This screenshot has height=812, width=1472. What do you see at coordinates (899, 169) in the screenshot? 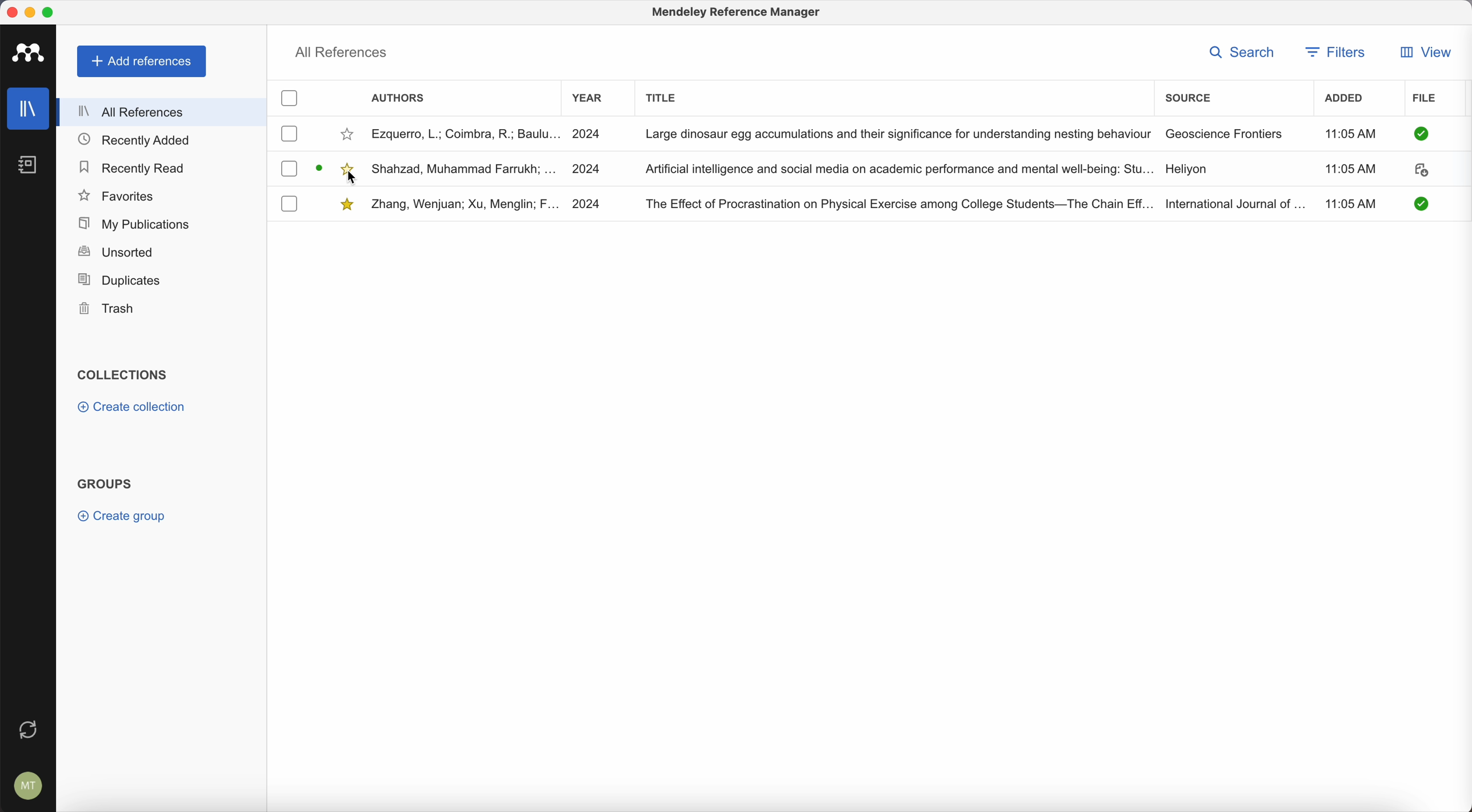
I see `Artificial Intelligence and social media on academic performance and mental well-being` at bounding box center [899, 169].